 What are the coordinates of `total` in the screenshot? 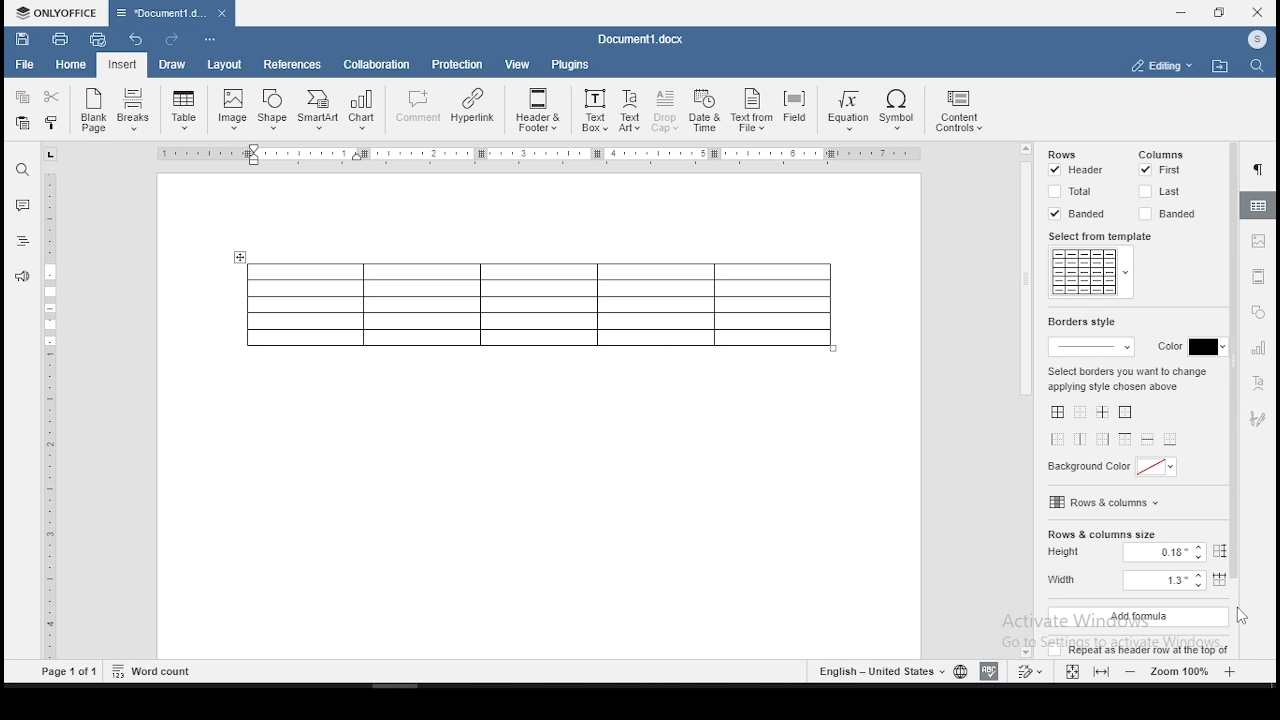 It's located at (1070, 191).